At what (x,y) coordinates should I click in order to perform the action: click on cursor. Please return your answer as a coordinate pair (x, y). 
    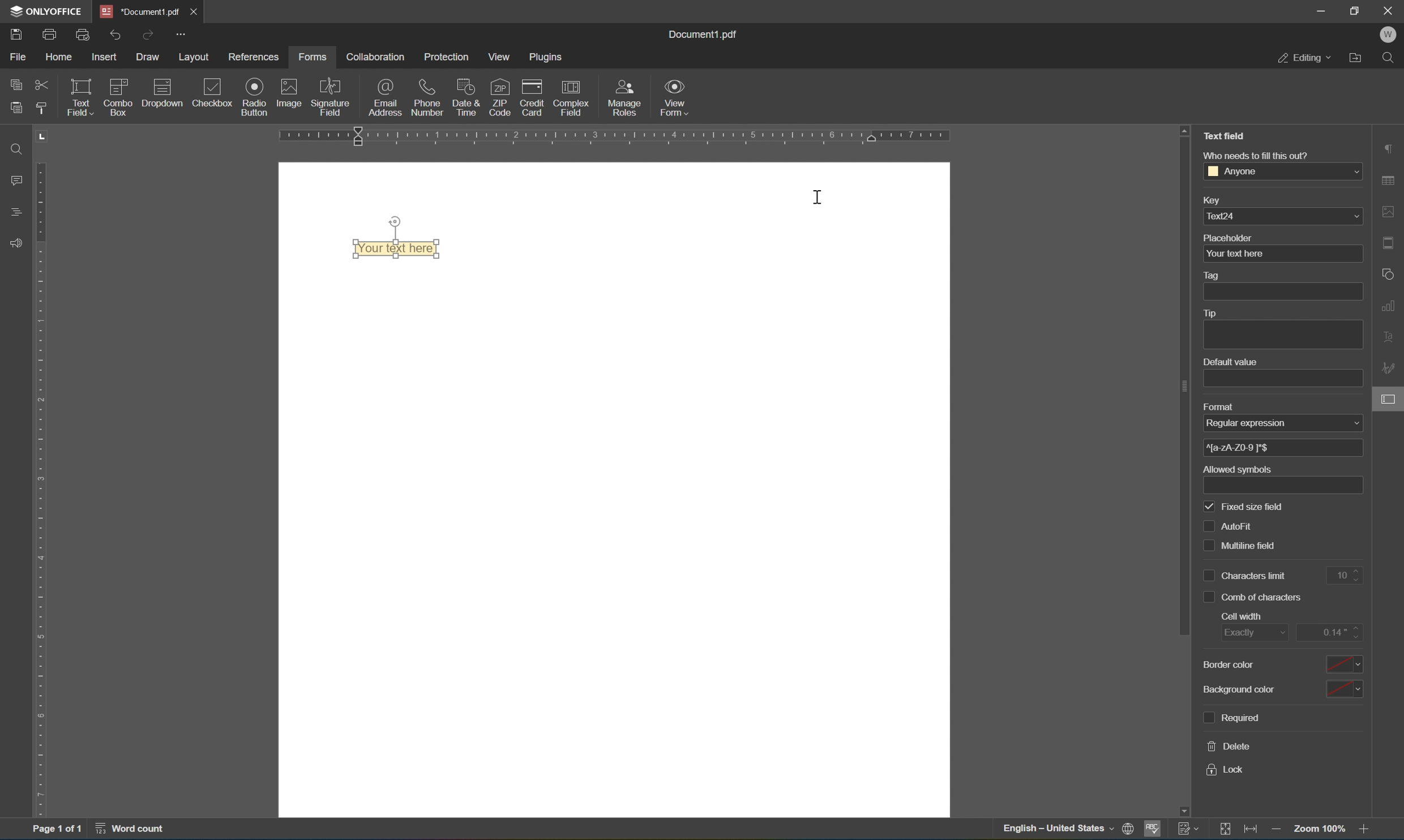
    Looking at the image, I should click on (819, 197).